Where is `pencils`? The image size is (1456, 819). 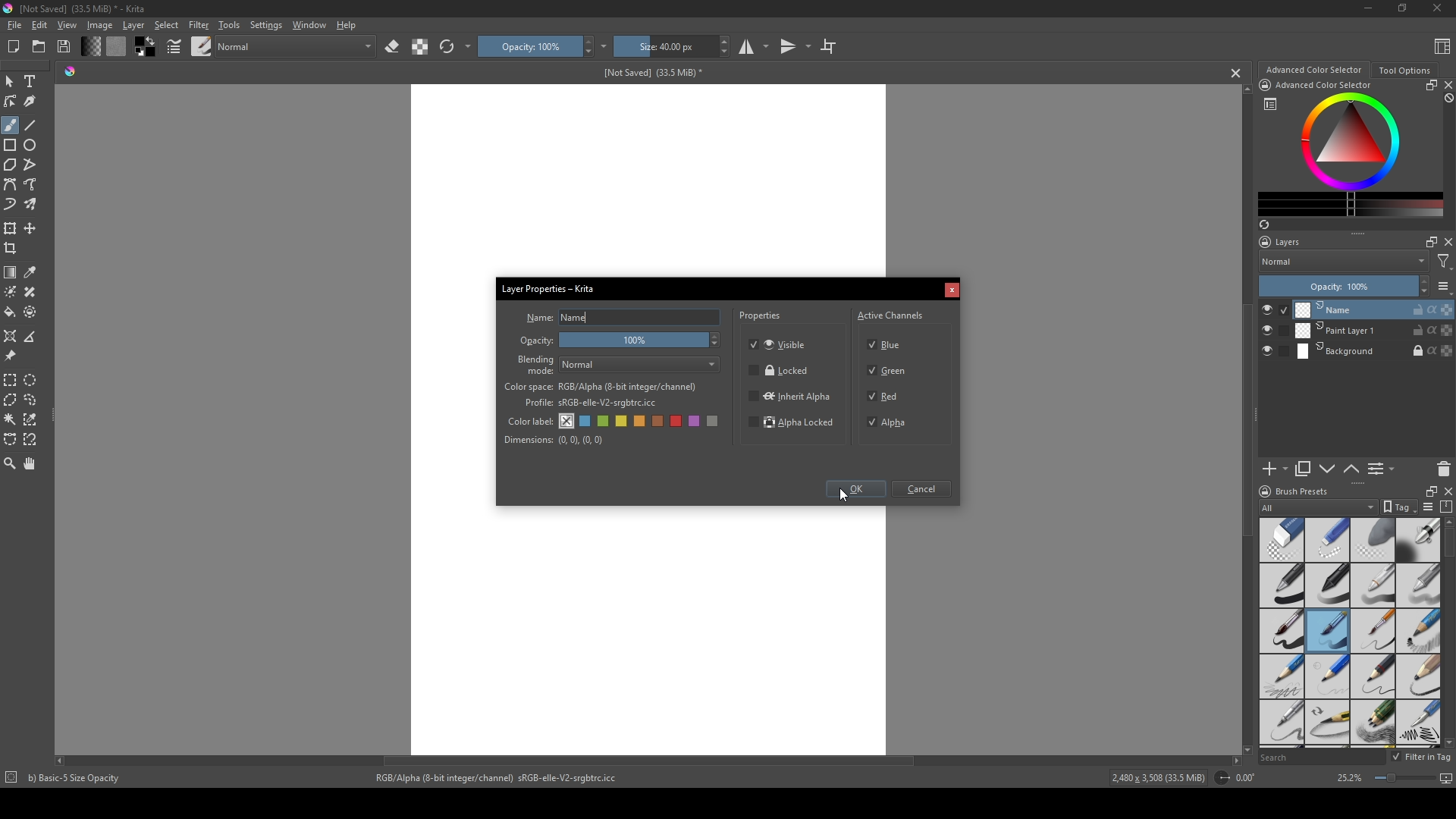 pencils is located at coordinates (1372, 723).